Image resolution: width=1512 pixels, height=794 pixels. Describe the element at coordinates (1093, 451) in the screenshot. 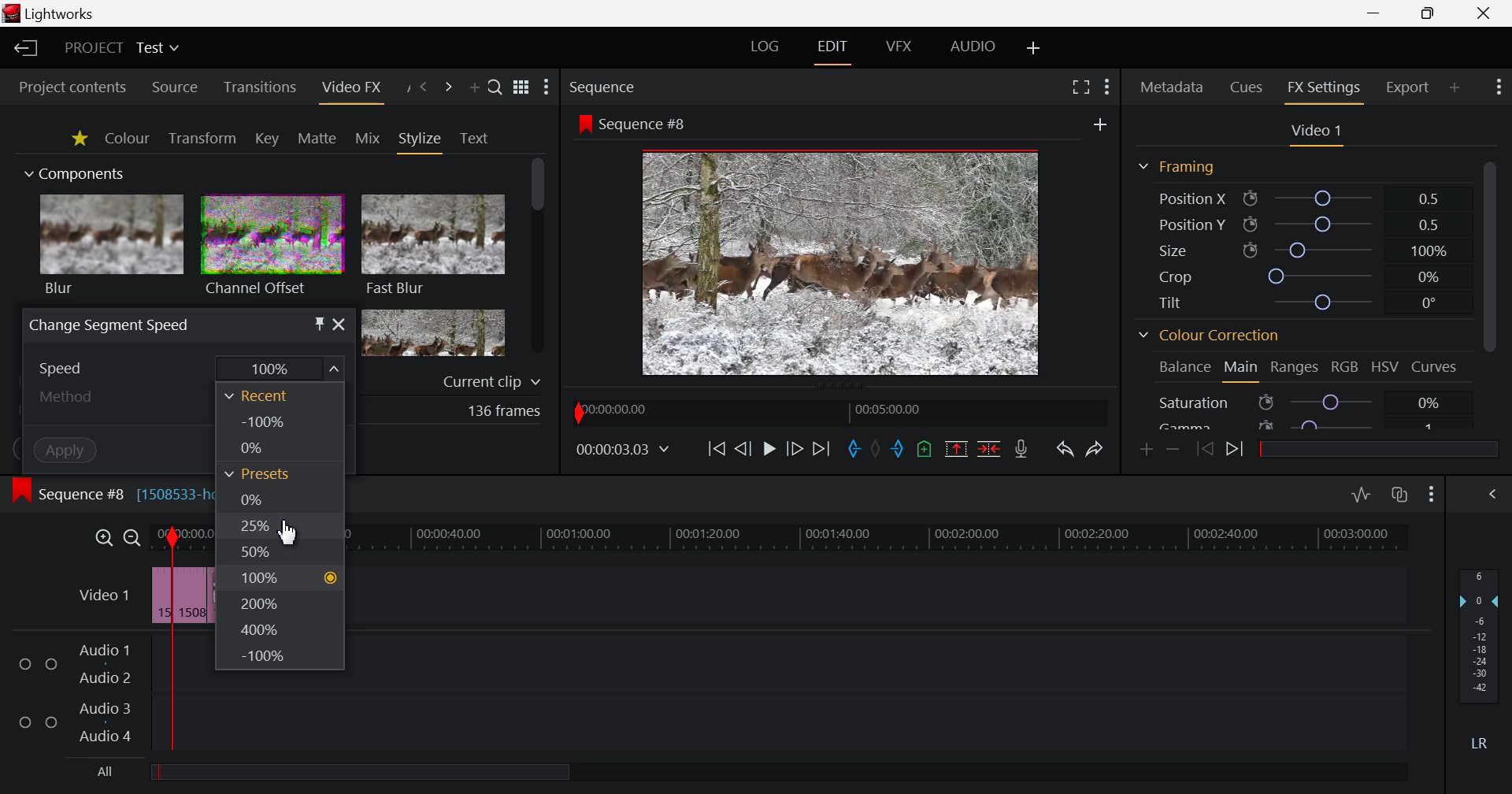

I see `Redo` at that location.